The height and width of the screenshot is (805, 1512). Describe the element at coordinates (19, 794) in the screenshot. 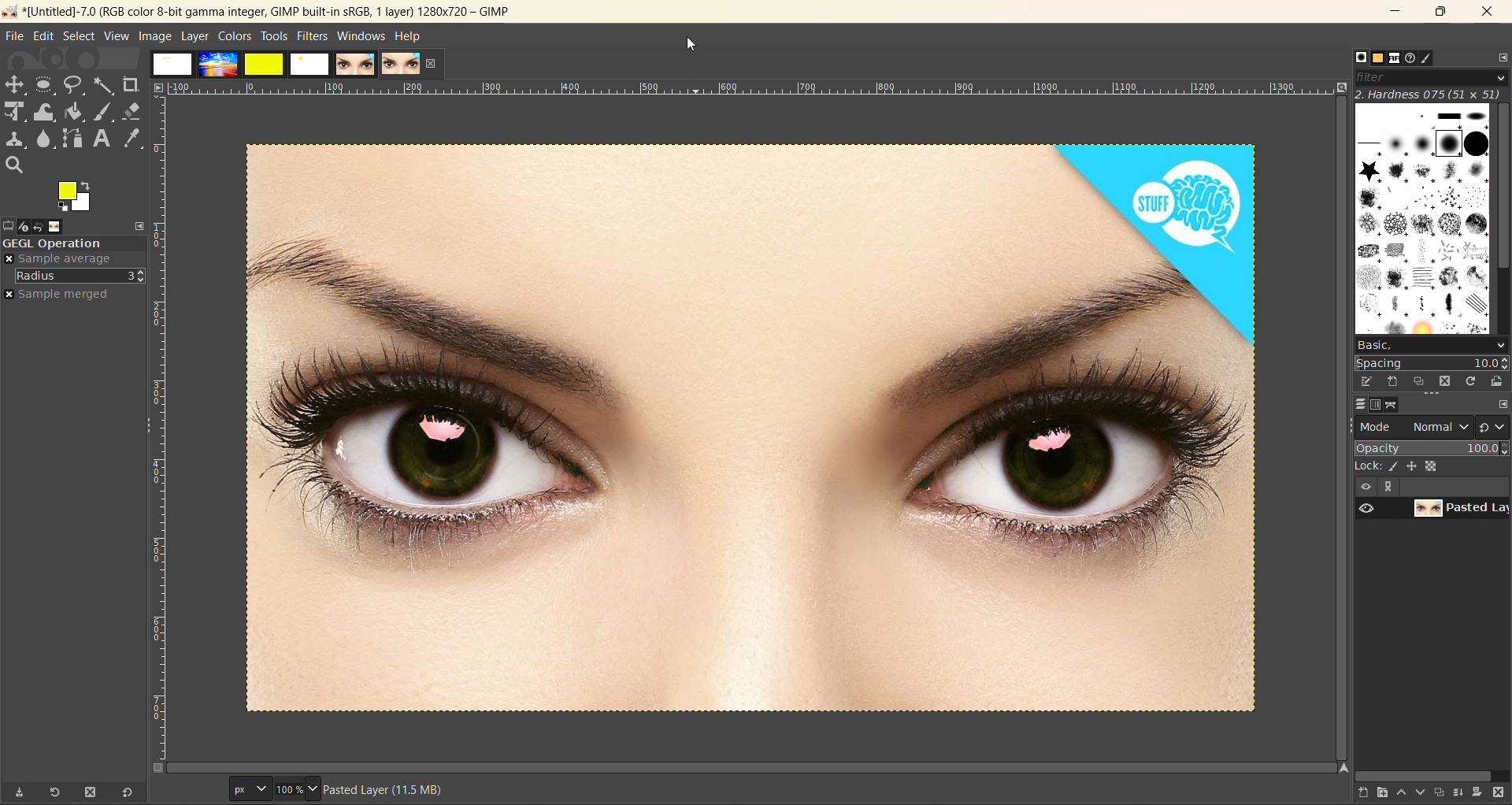

I see `save tool preset` at that location.